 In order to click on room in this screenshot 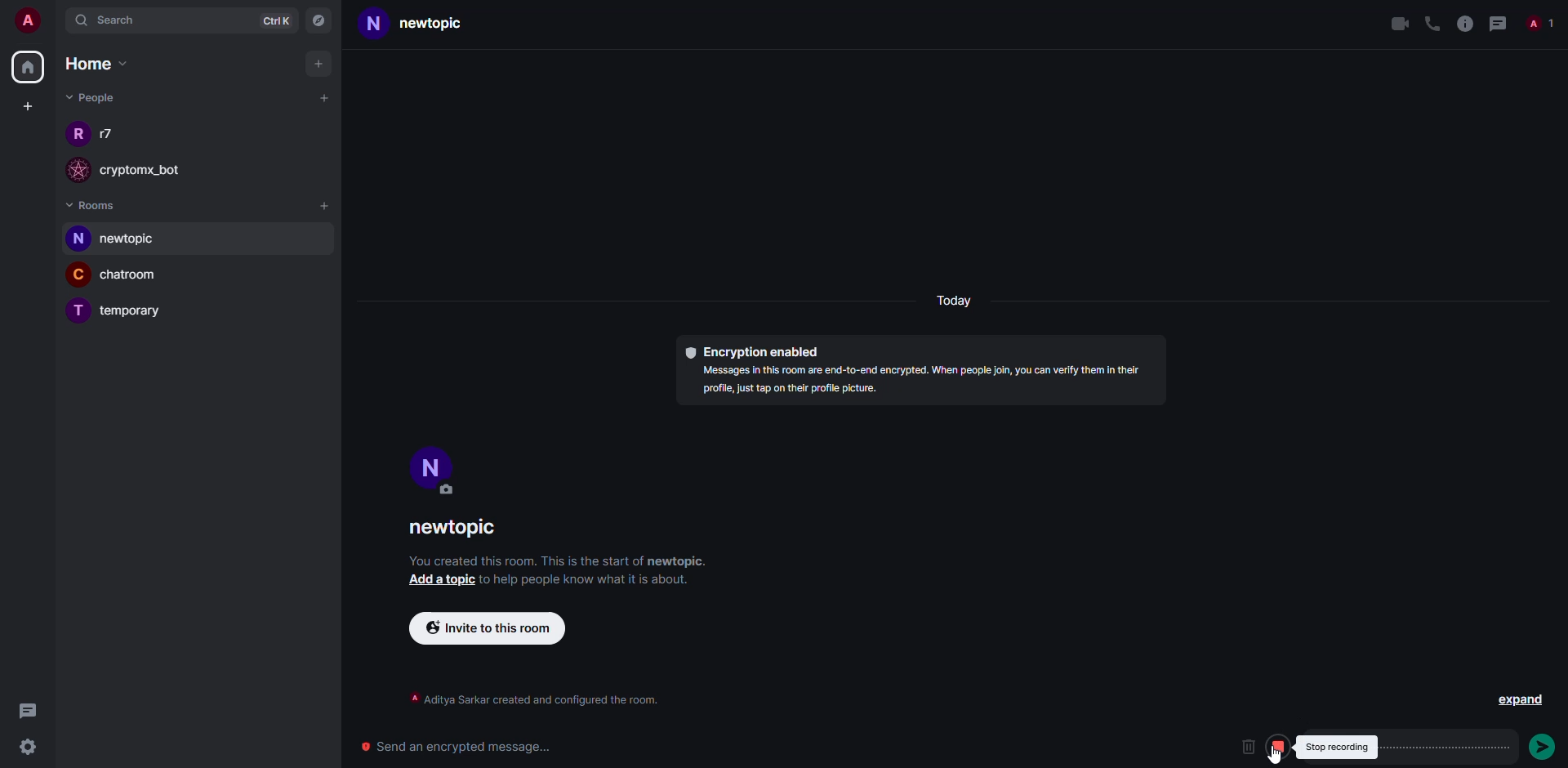, I will do `click(136, 239)`.